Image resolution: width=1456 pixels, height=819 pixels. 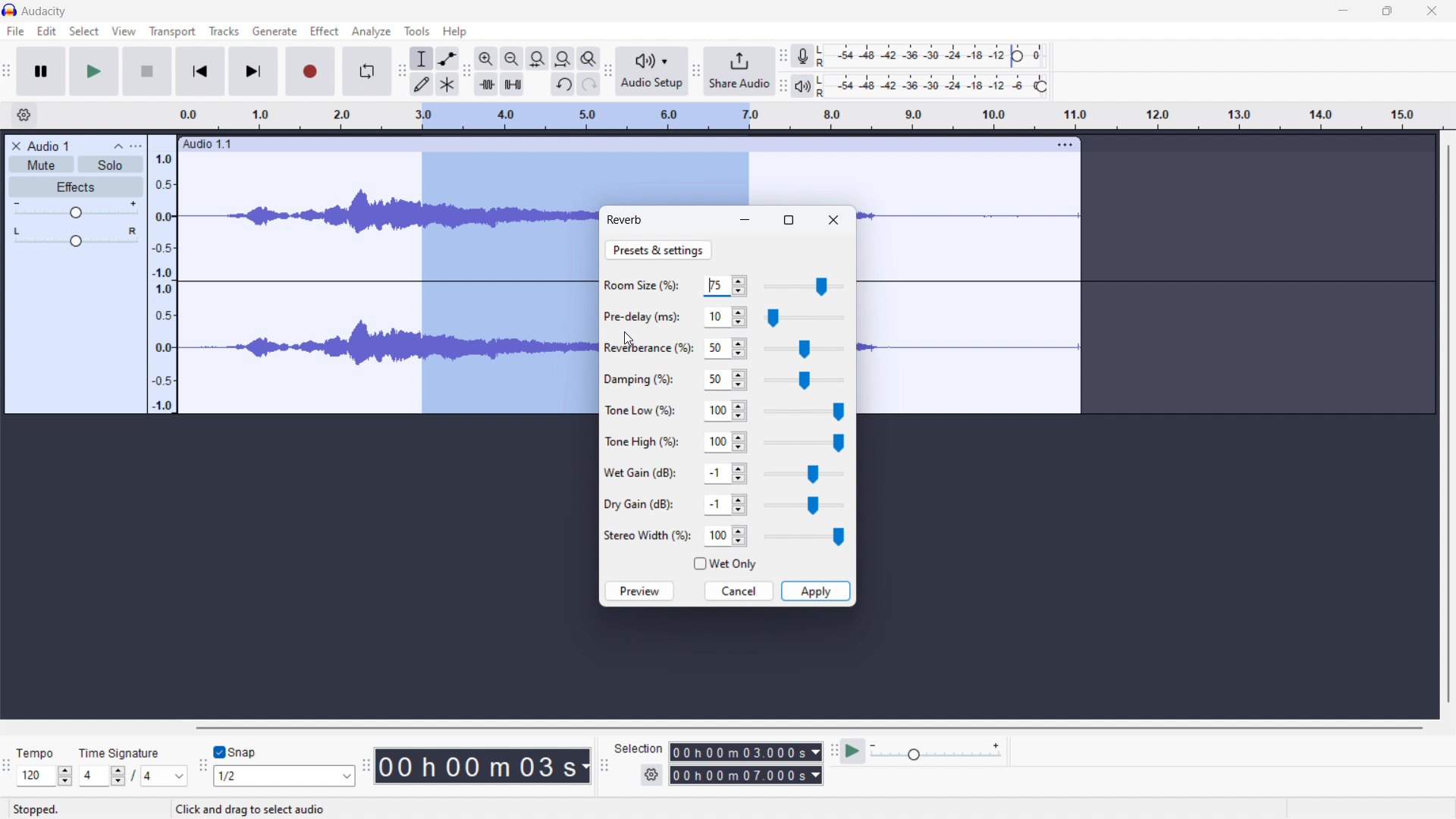 I want to click on snapping toolbar, so click(x=202, y=769).